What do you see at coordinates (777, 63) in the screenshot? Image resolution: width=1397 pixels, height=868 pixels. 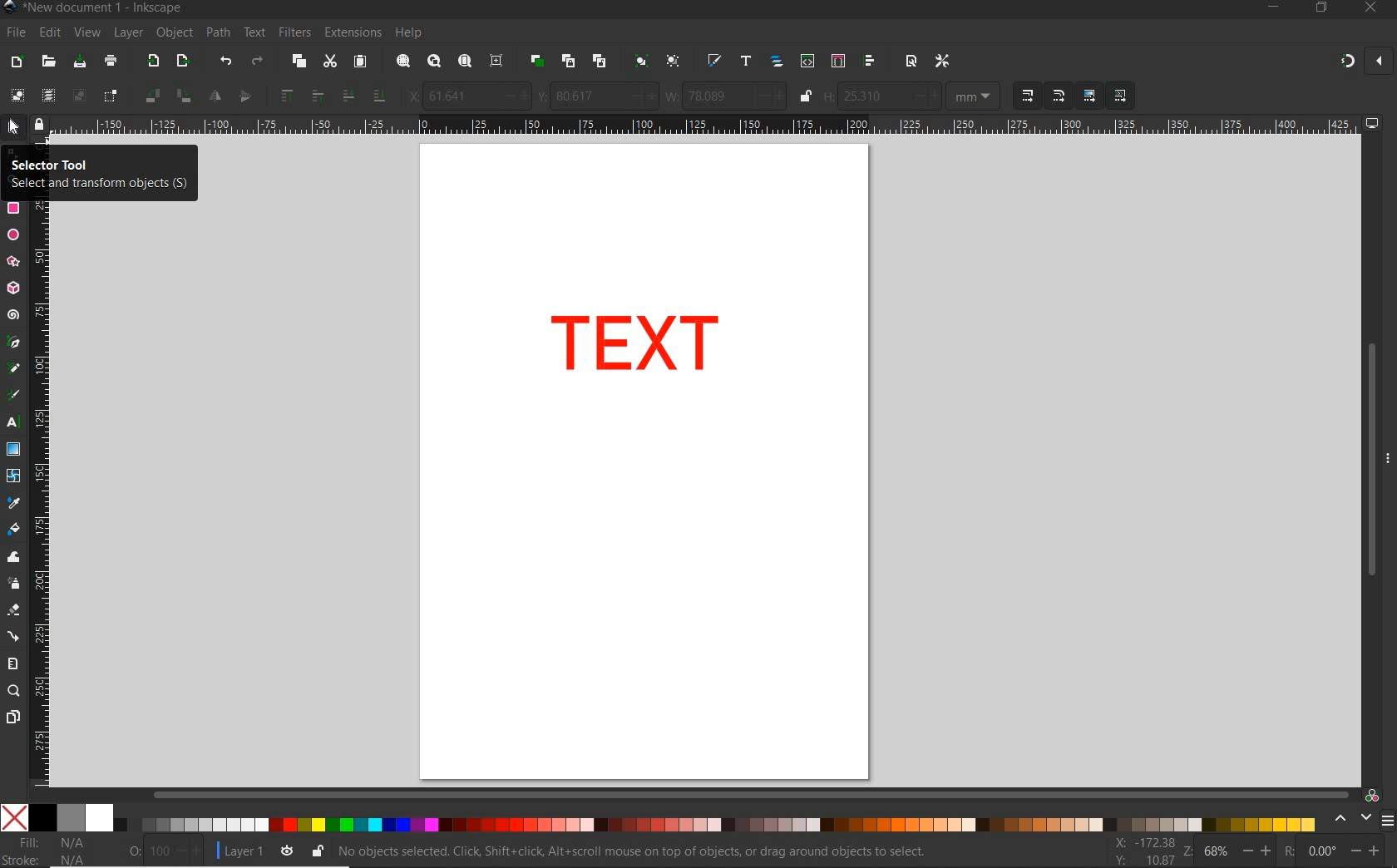 I see `open objects` at bounding box center [777, 63].